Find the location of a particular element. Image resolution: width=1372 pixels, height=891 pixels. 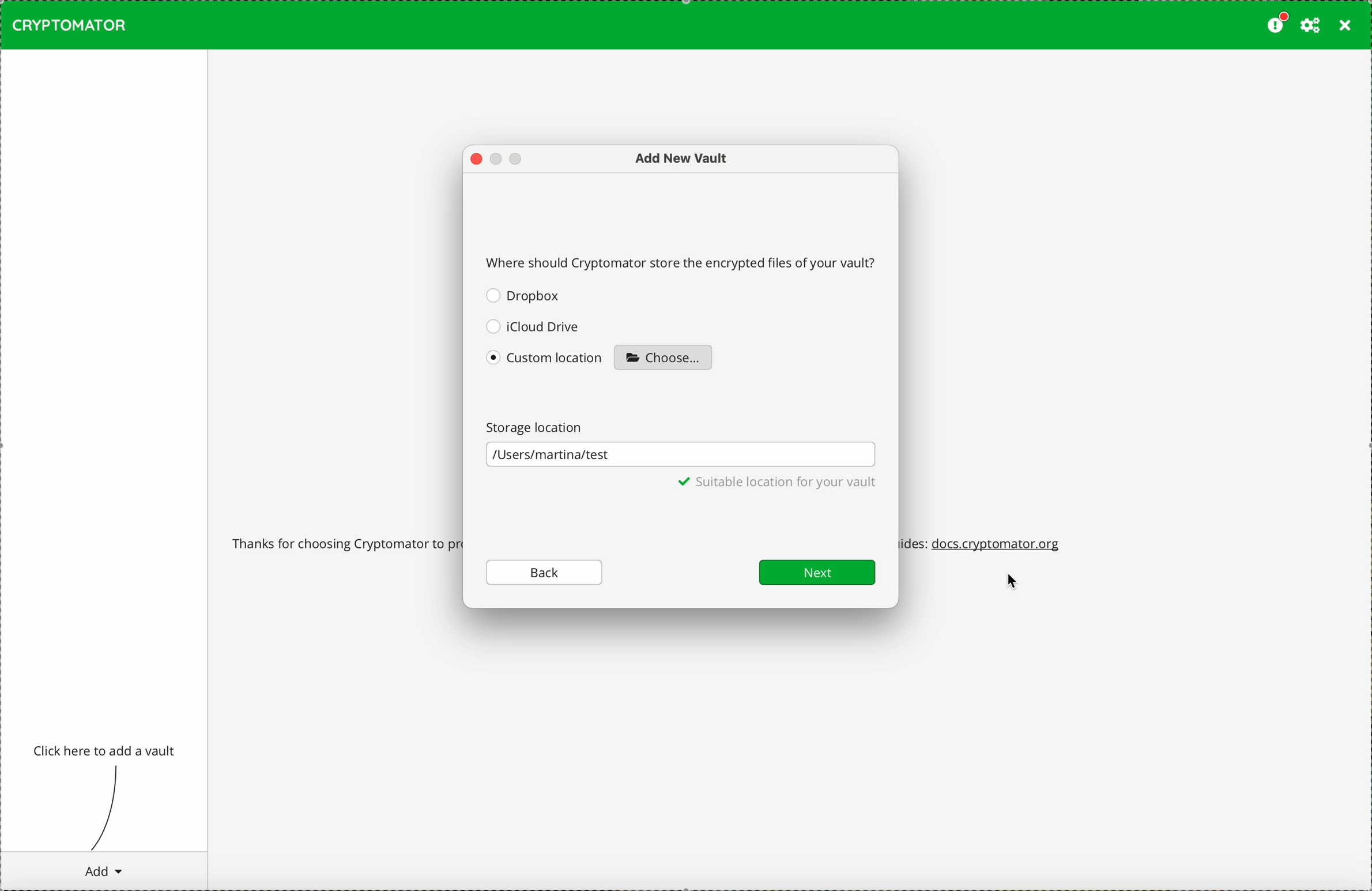

cursor is located at coordinates (1016, 584).